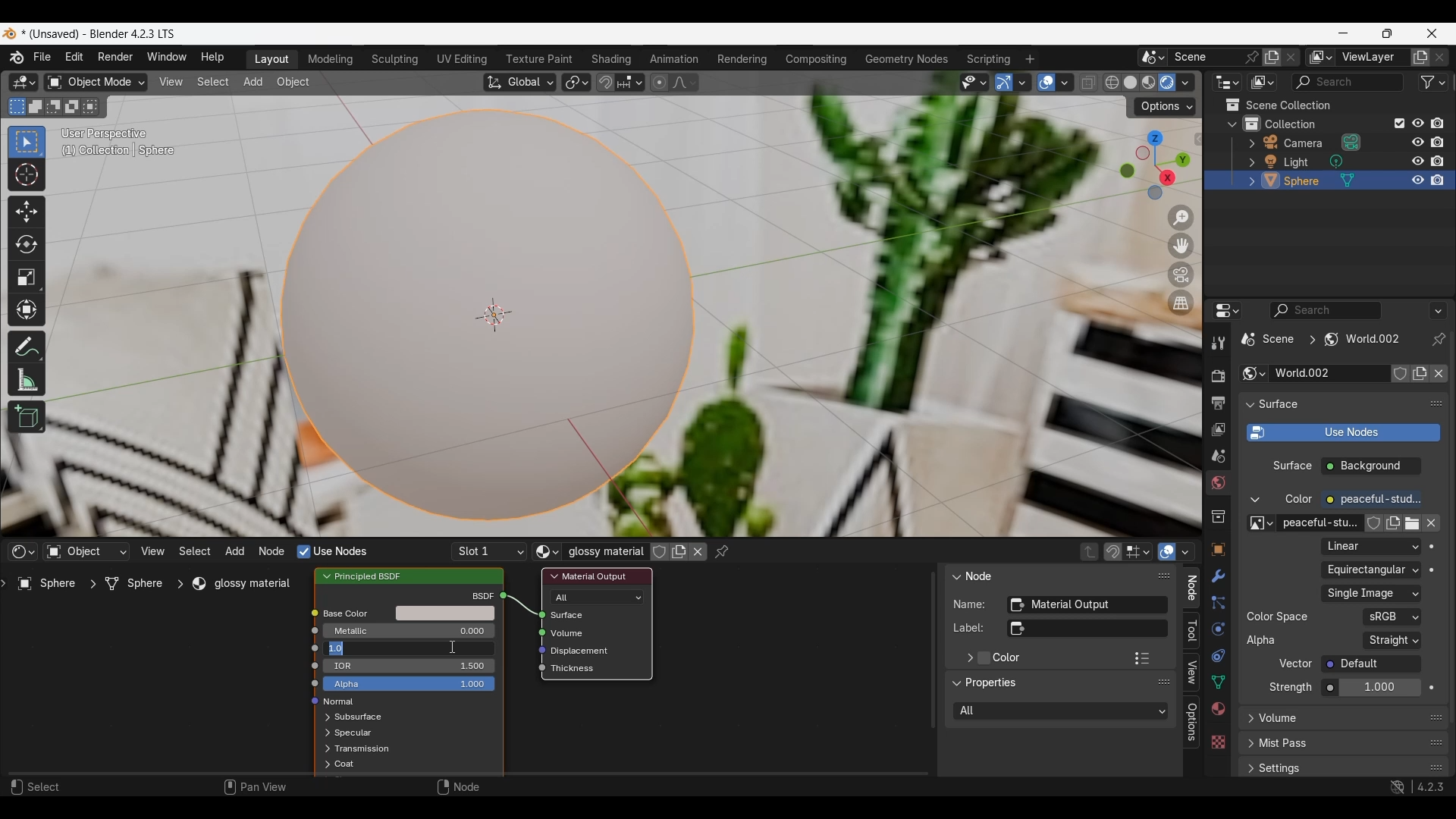  What do you see at coordinates (1247, 723) in the screenshot?
I see `Expand respective options` at bounding box center [1247, 723].